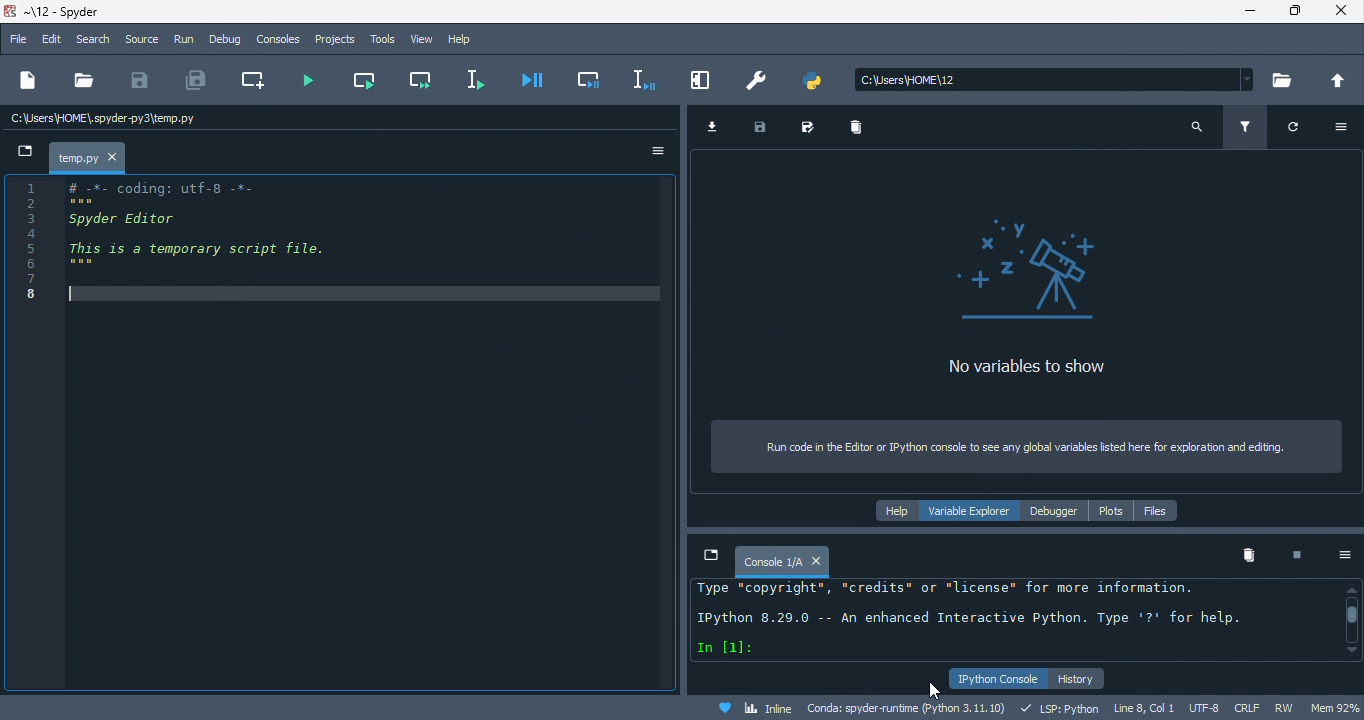 Image resolution: width=1364 pixels, height=720 pixels. What do you see at coordinates (1291, 80) in the screenshot?
I see `` at bounding box center [1291, 80].